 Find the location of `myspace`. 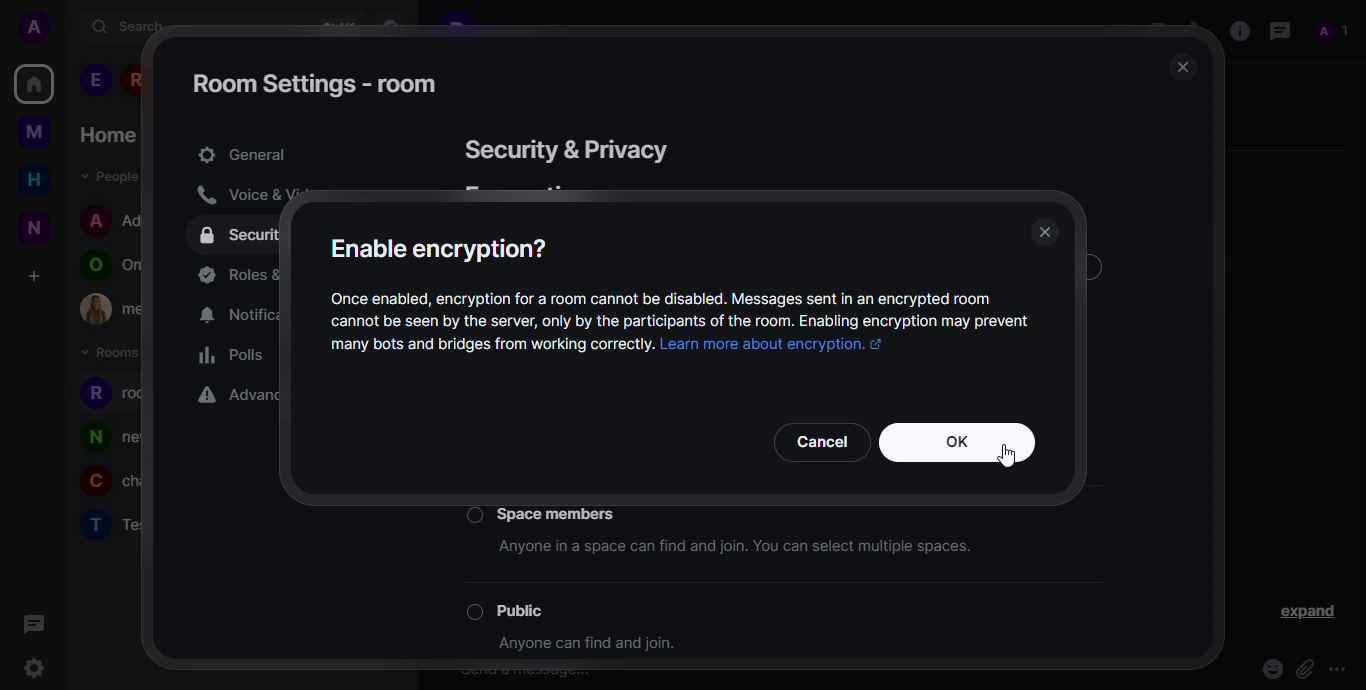

myspace is located at coordinates (34, 131).